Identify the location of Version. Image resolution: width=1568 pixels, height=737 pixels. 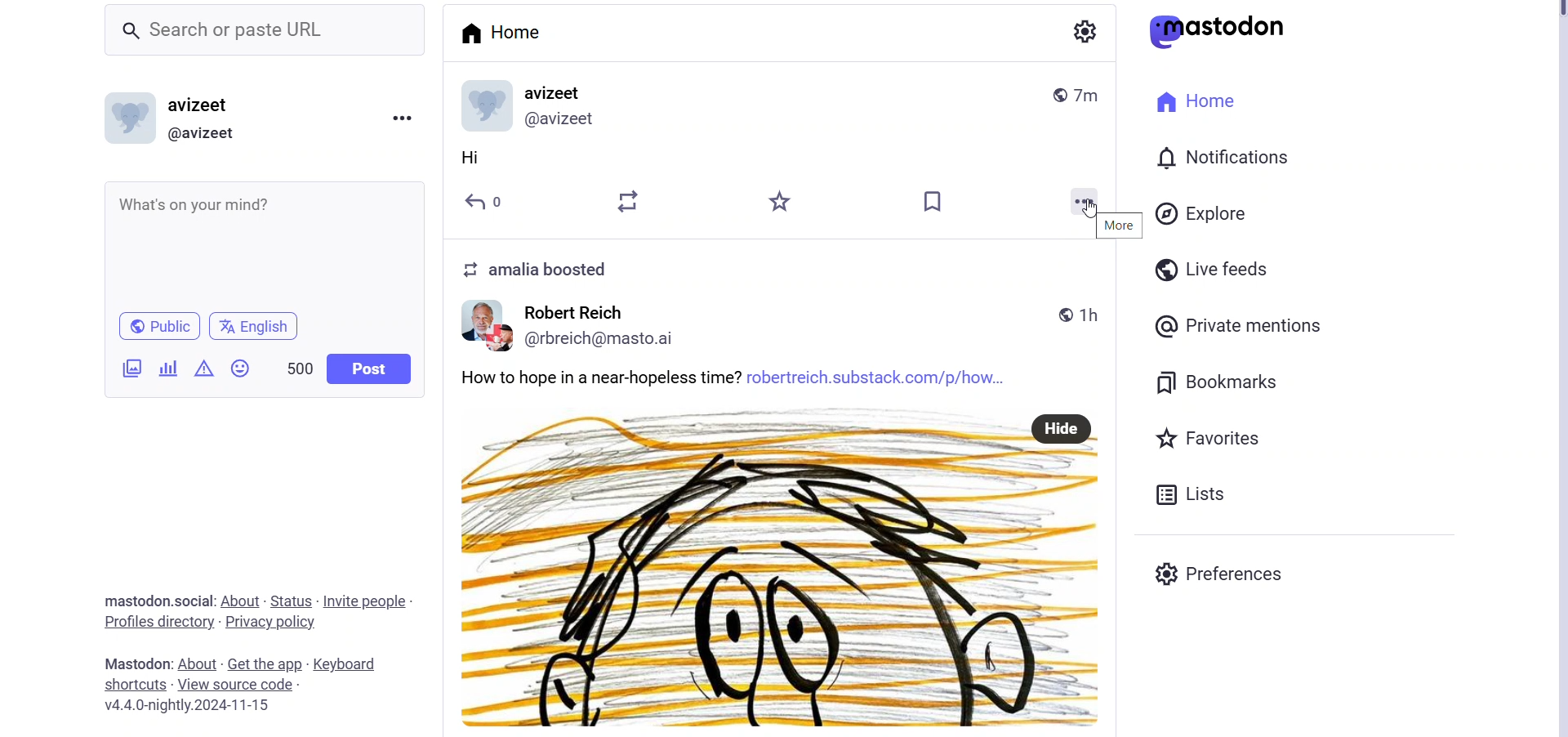
(193, 707).